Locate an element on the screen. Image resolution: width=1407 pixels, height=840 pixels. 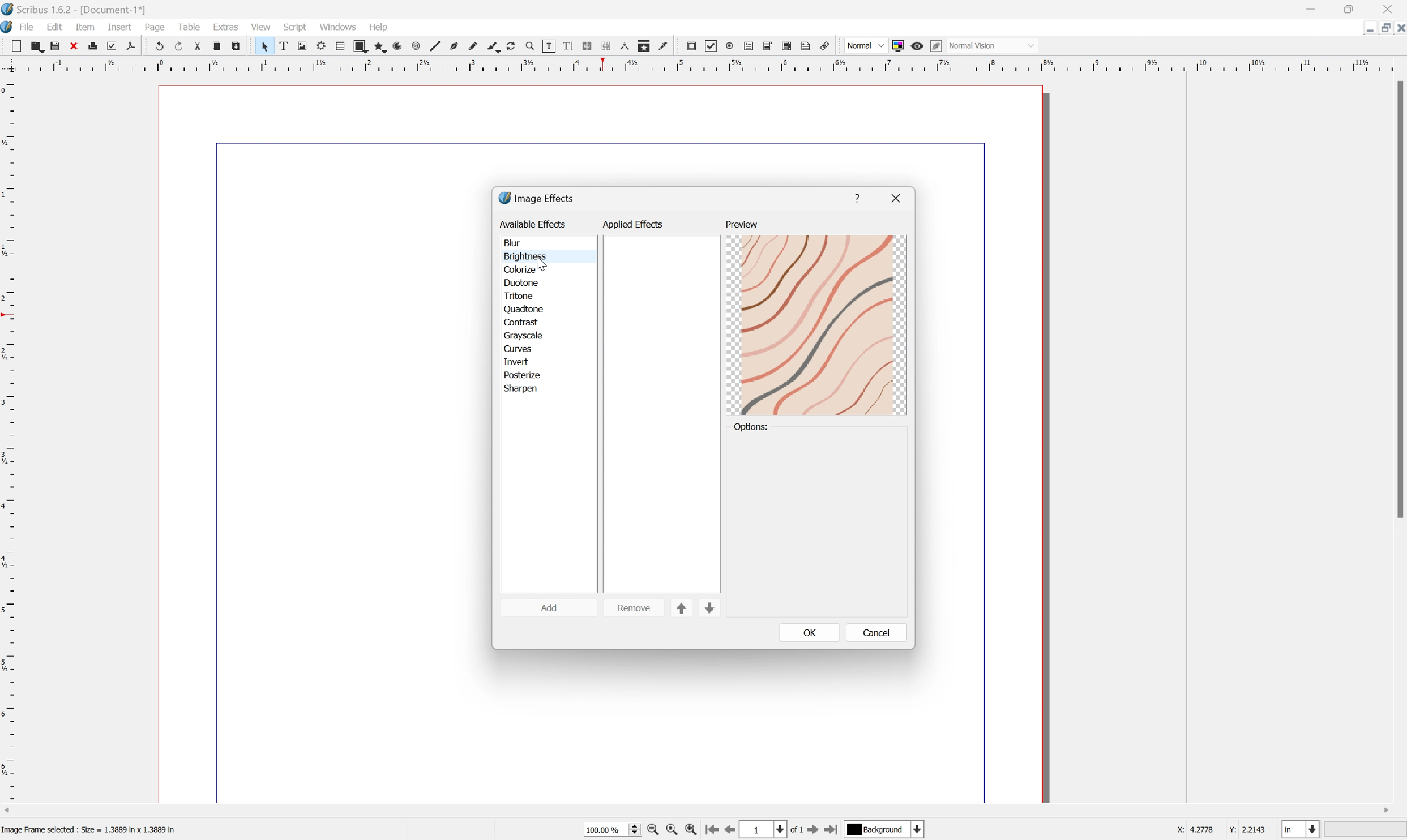
PDF radio button is located at coordinates (729, 46).